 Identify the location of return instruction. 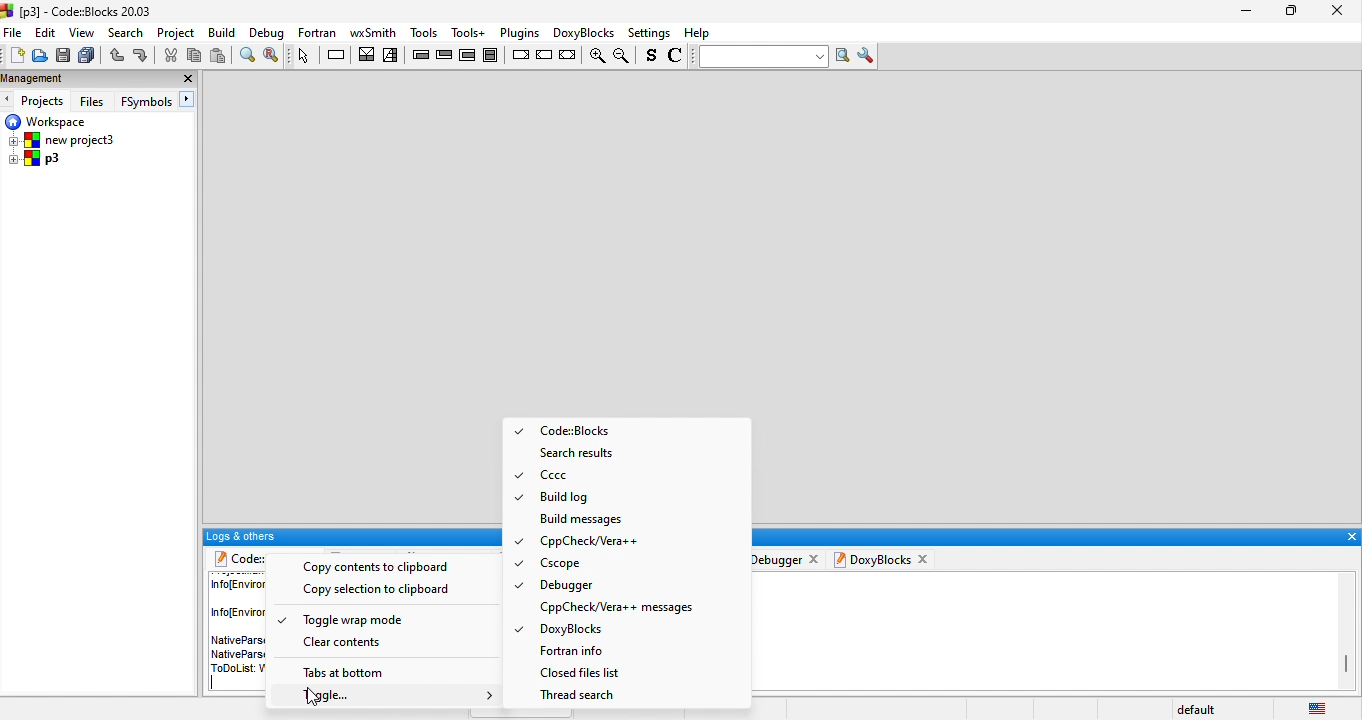
(569, 56).